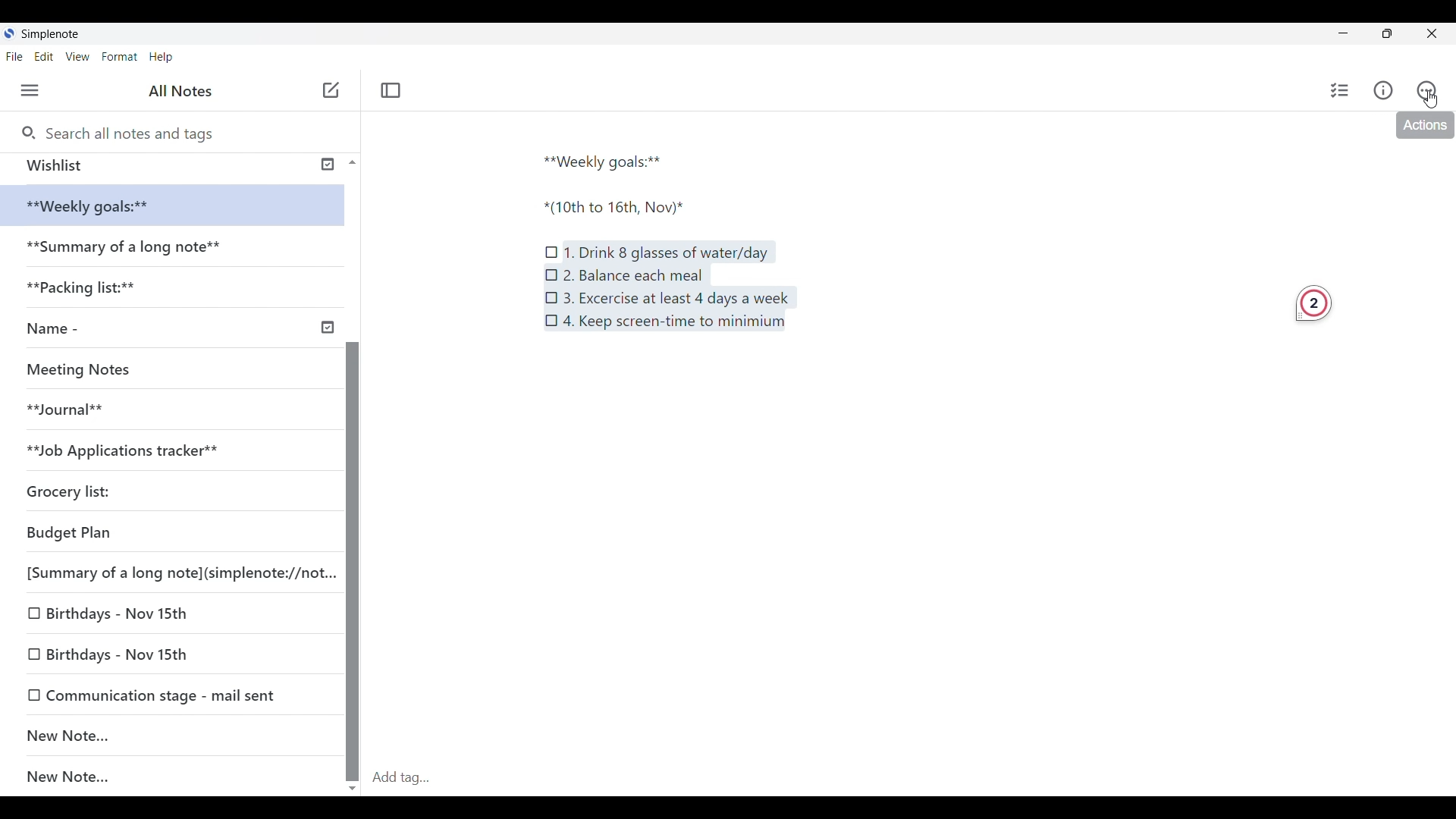  Describe the element at coordinates (128, 249) in the screenshot. I see `**Summary of a long note**` at that location.